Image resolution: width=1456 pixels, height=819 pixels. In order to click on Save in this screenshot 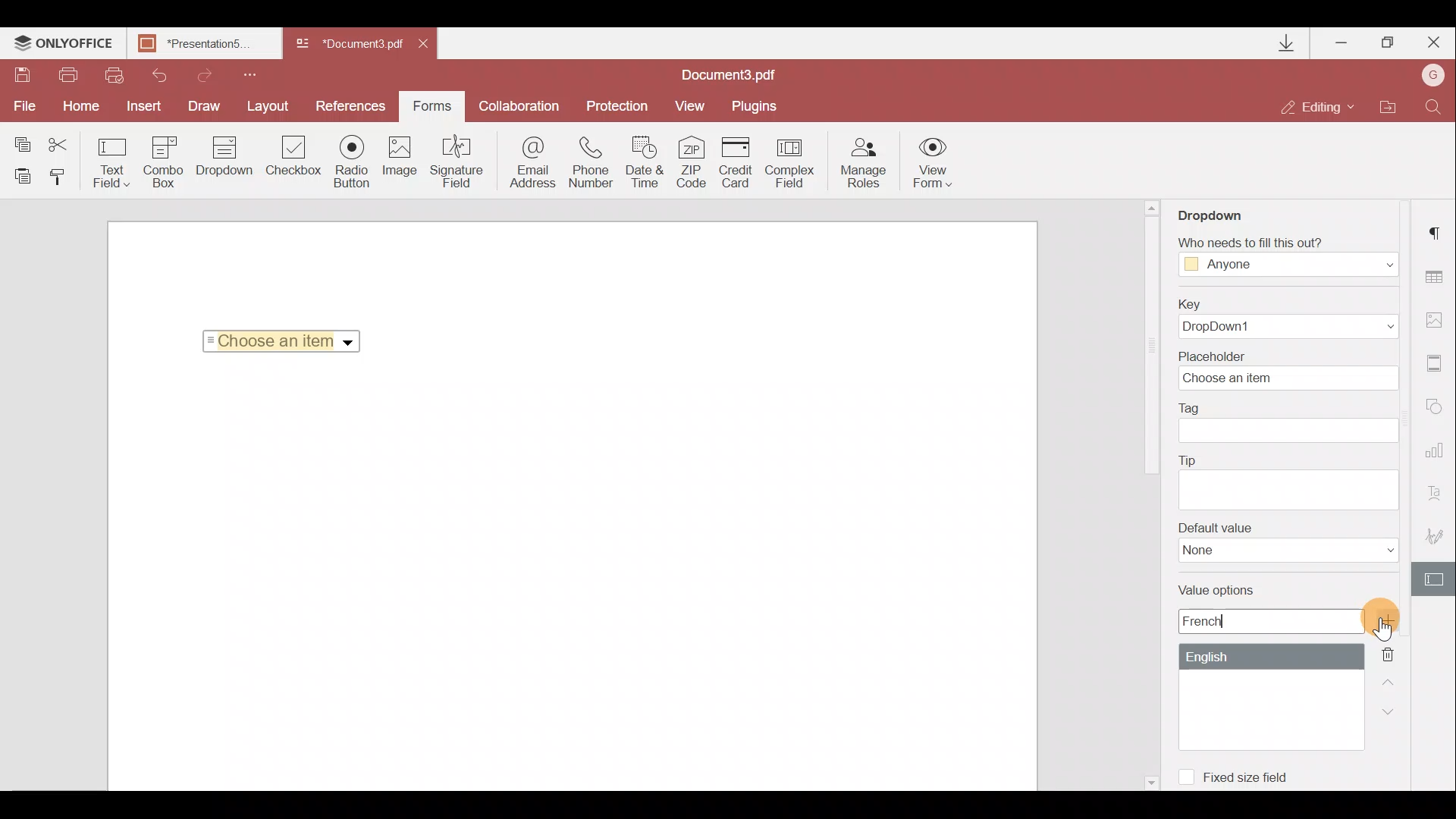, I will do `click(21, 77)`.